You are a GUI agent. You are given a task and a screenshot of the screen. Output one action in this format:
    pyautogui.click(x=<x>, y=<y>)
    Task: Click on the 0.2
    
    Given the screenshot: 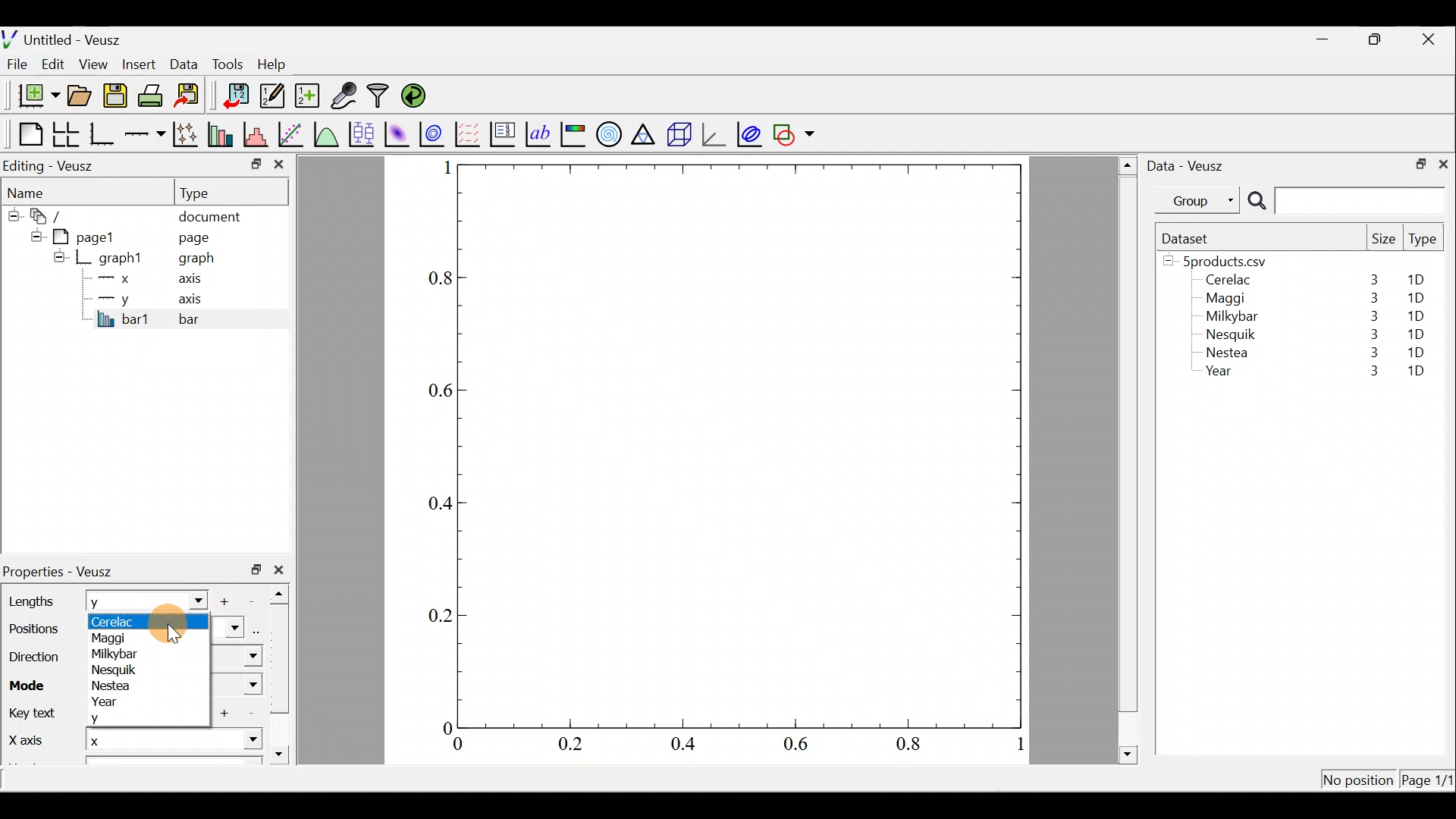 What is the action you would take?
    pyautogui.click(x=570, y=743)
    